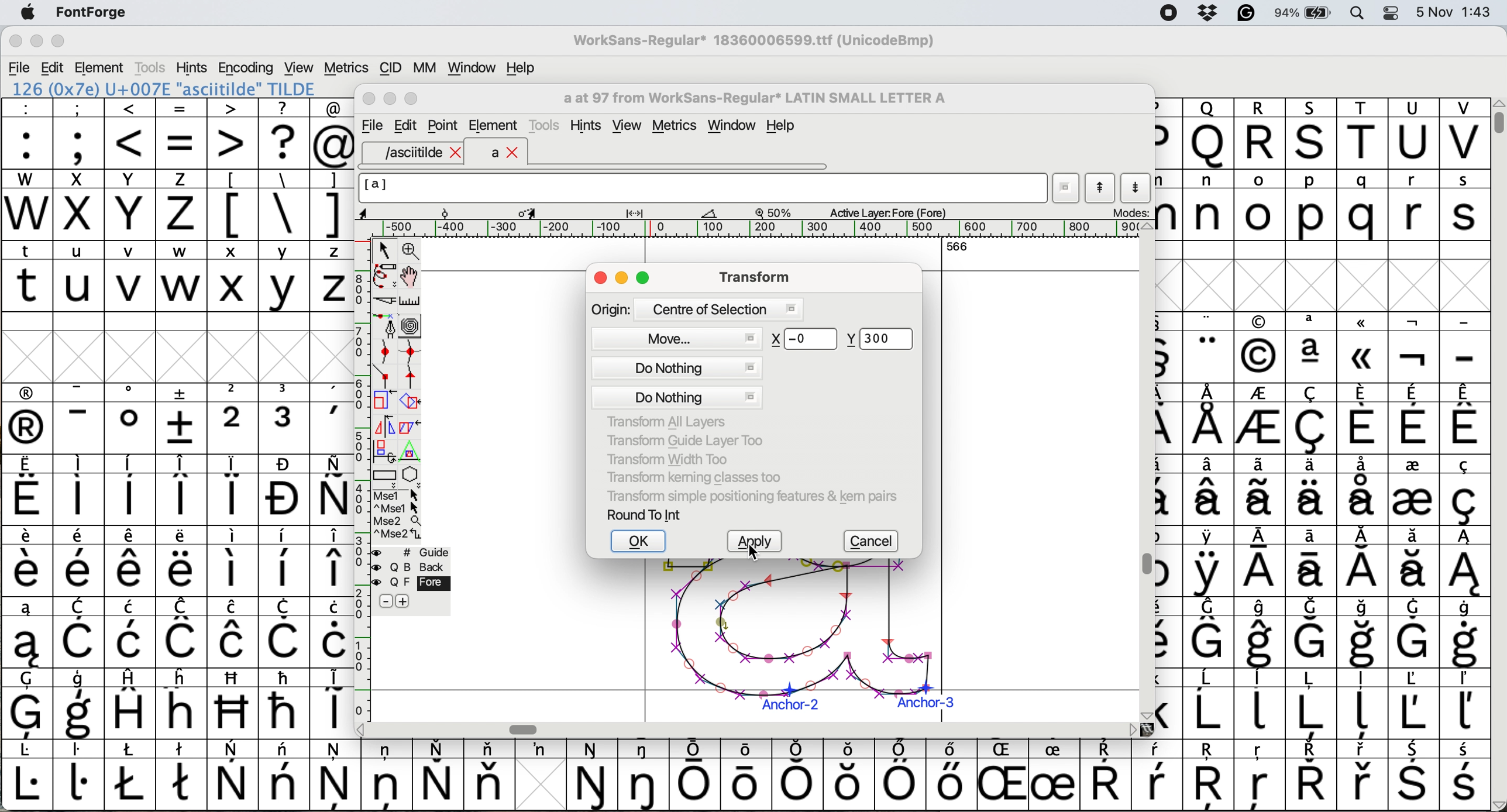  What do you see at coordinates (384, 475) in the screenshot?
I see `Rectangle or box` at bounding box center [384, 475].